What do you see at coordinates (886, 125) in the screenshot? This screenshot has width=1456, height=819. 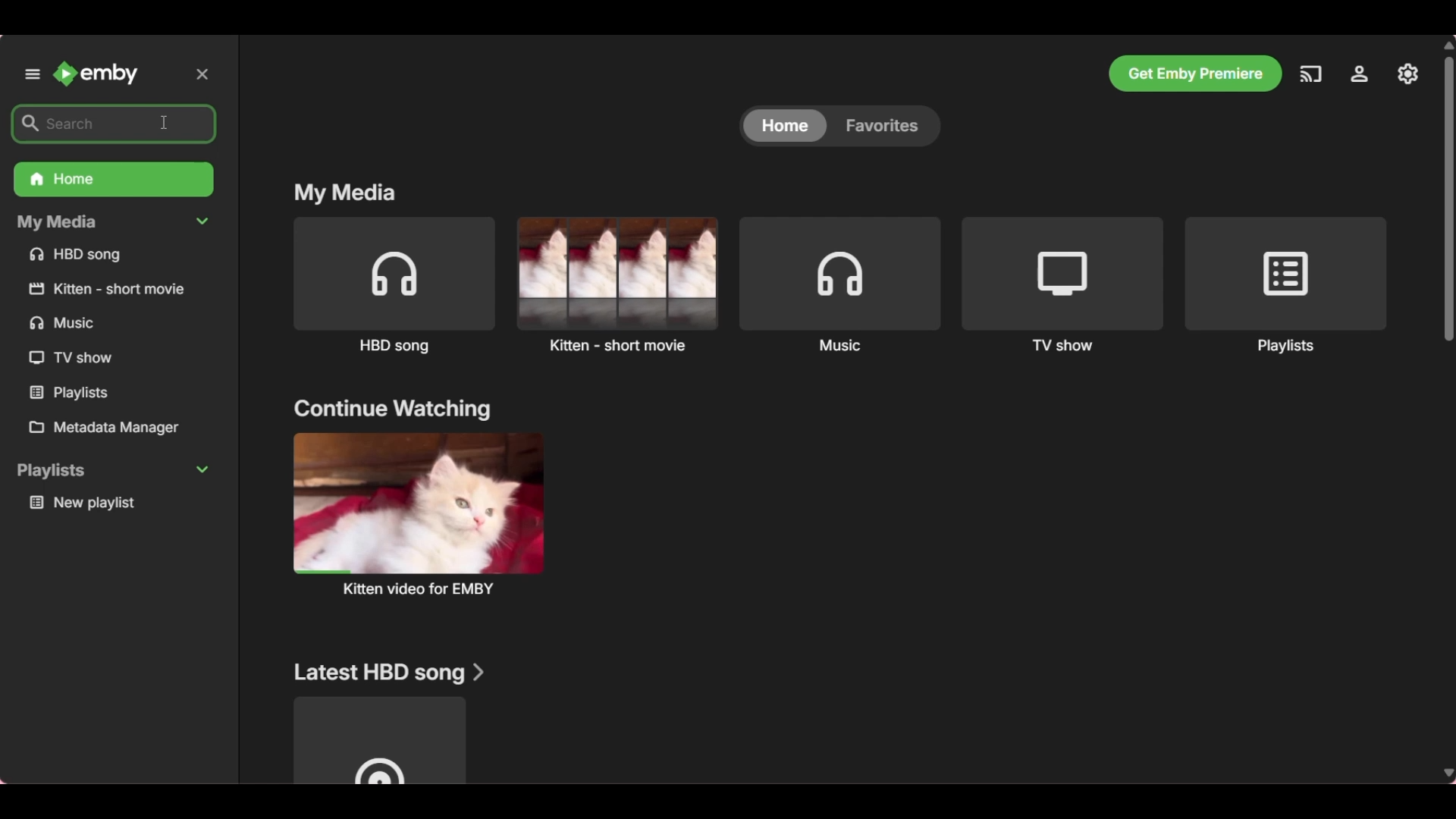 I see `Favorites` at bounding box center [886, 125].